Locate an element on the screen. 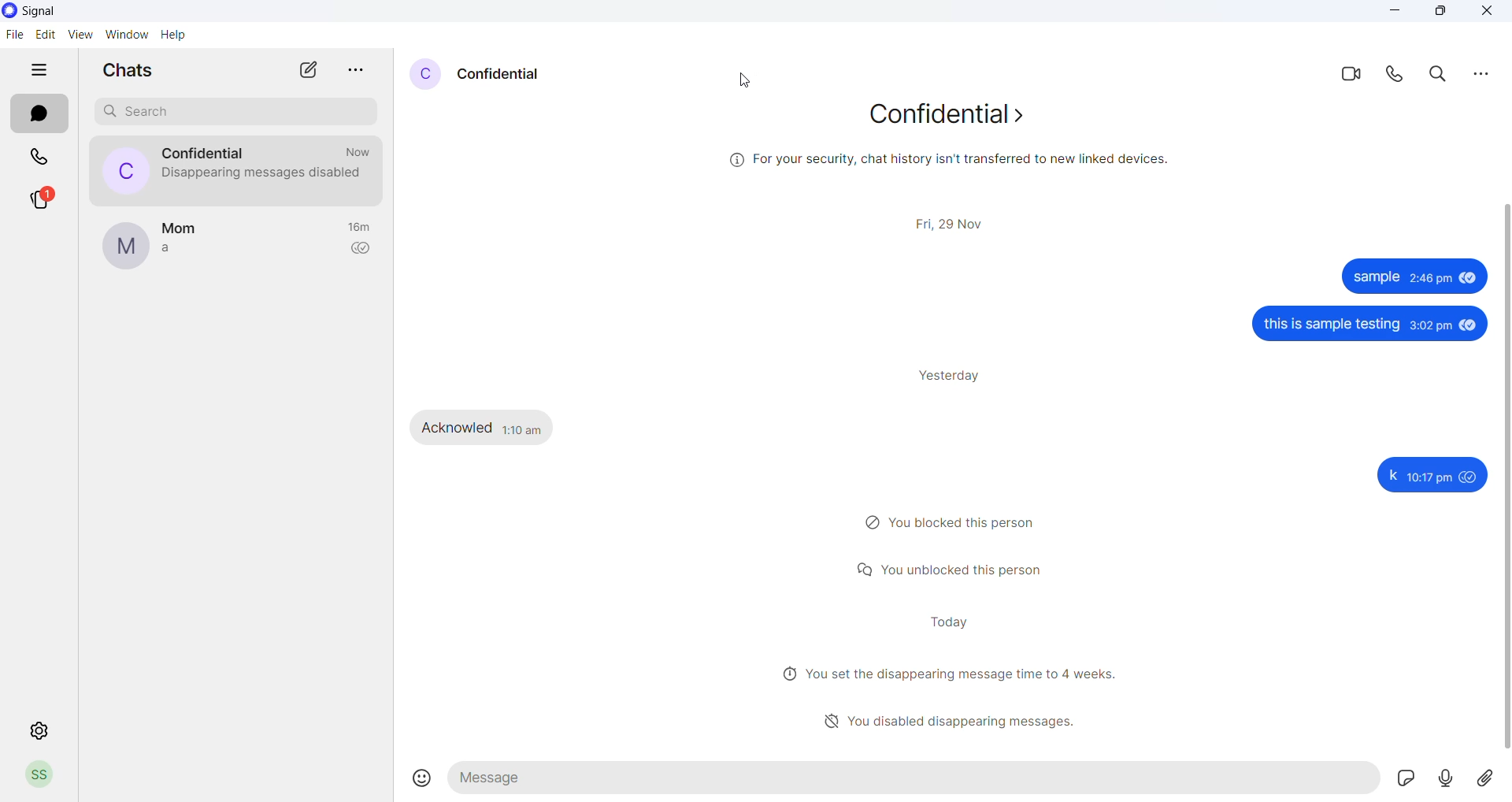 This screenshot has width=1512, height=802.  is located at coordinates (952, 622).